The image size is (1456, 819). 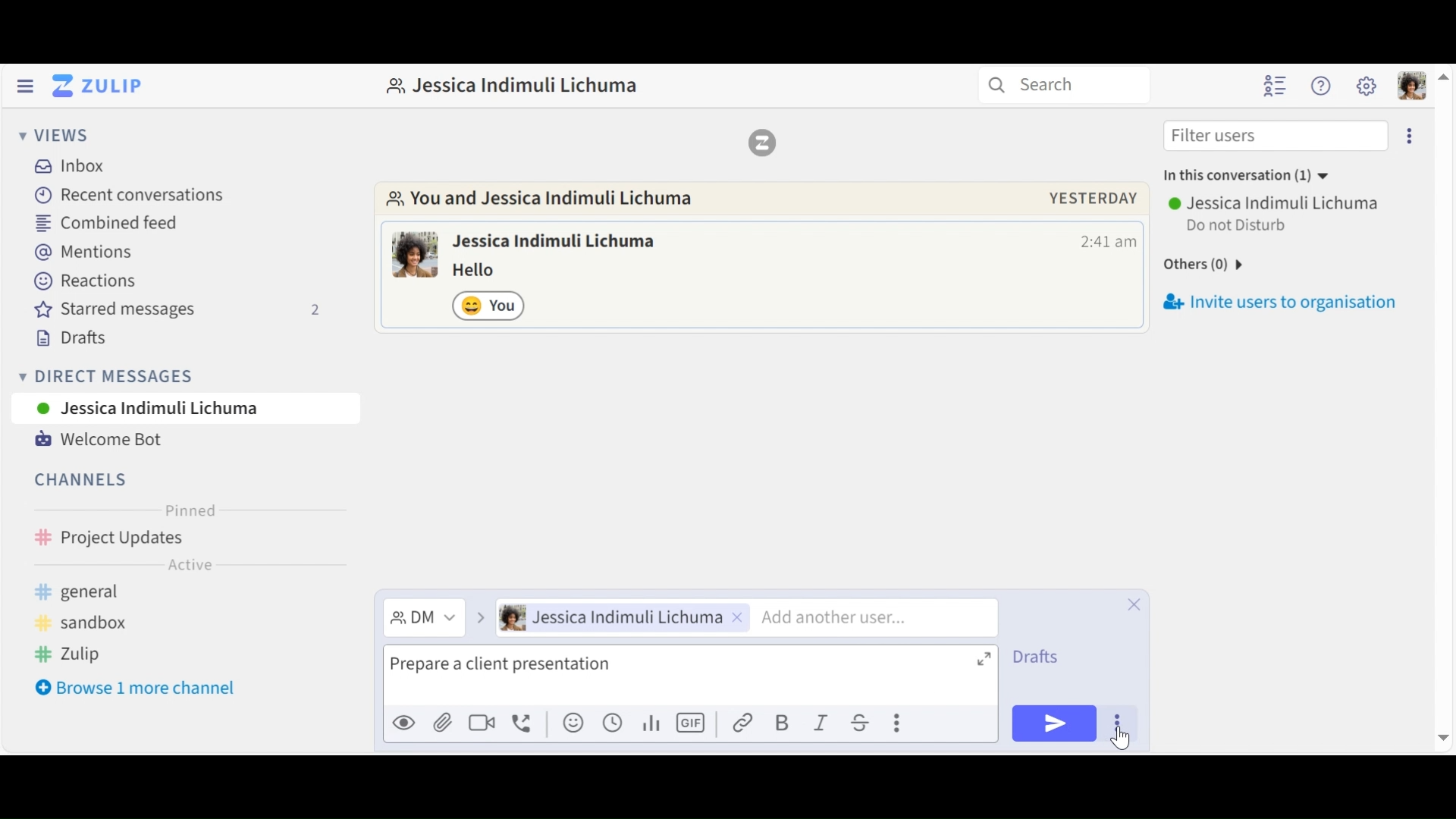 I want to click on zulip, so click(x=69, y=654).